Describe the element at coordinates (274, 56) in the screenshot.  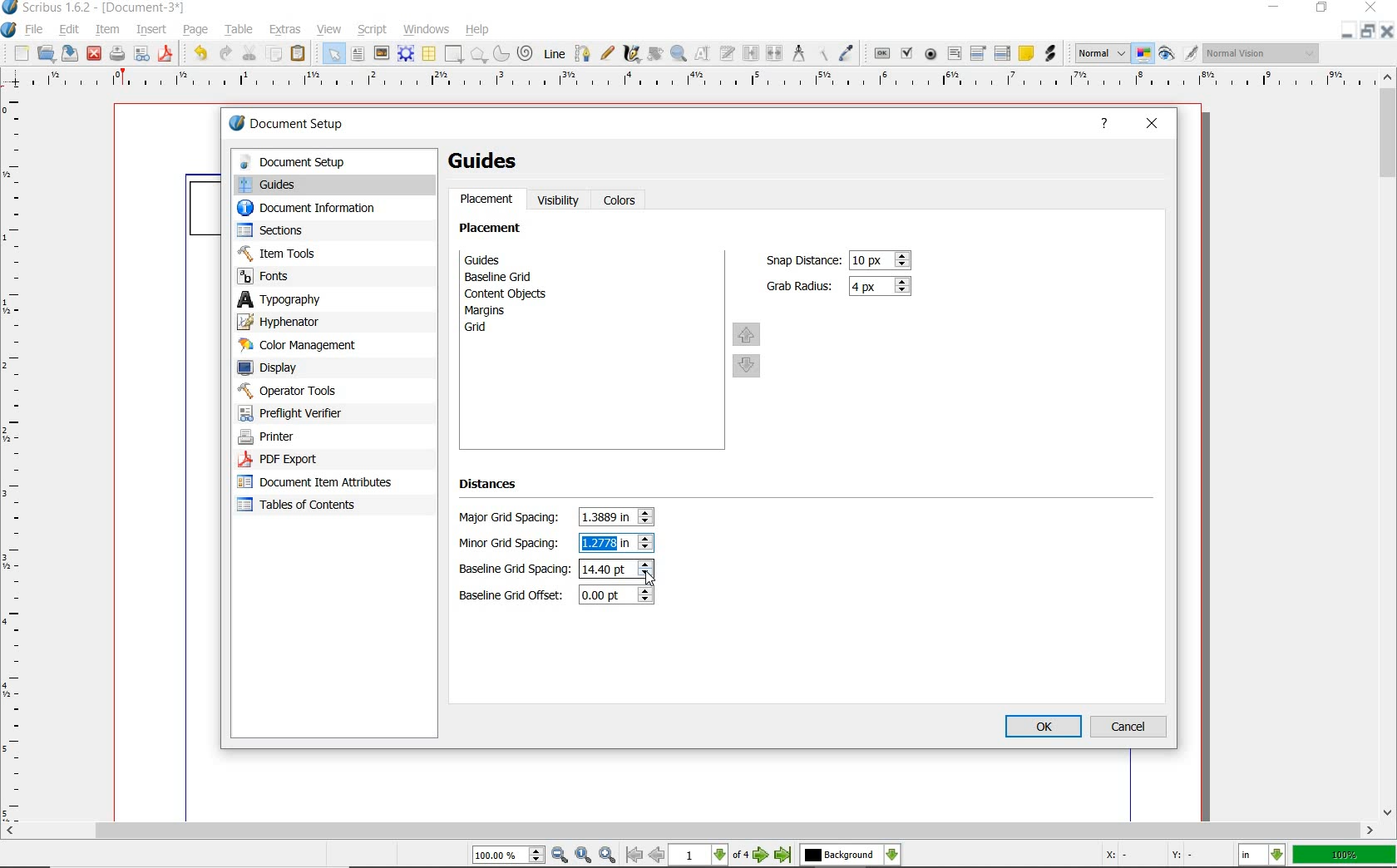
I see `copy` at that location.